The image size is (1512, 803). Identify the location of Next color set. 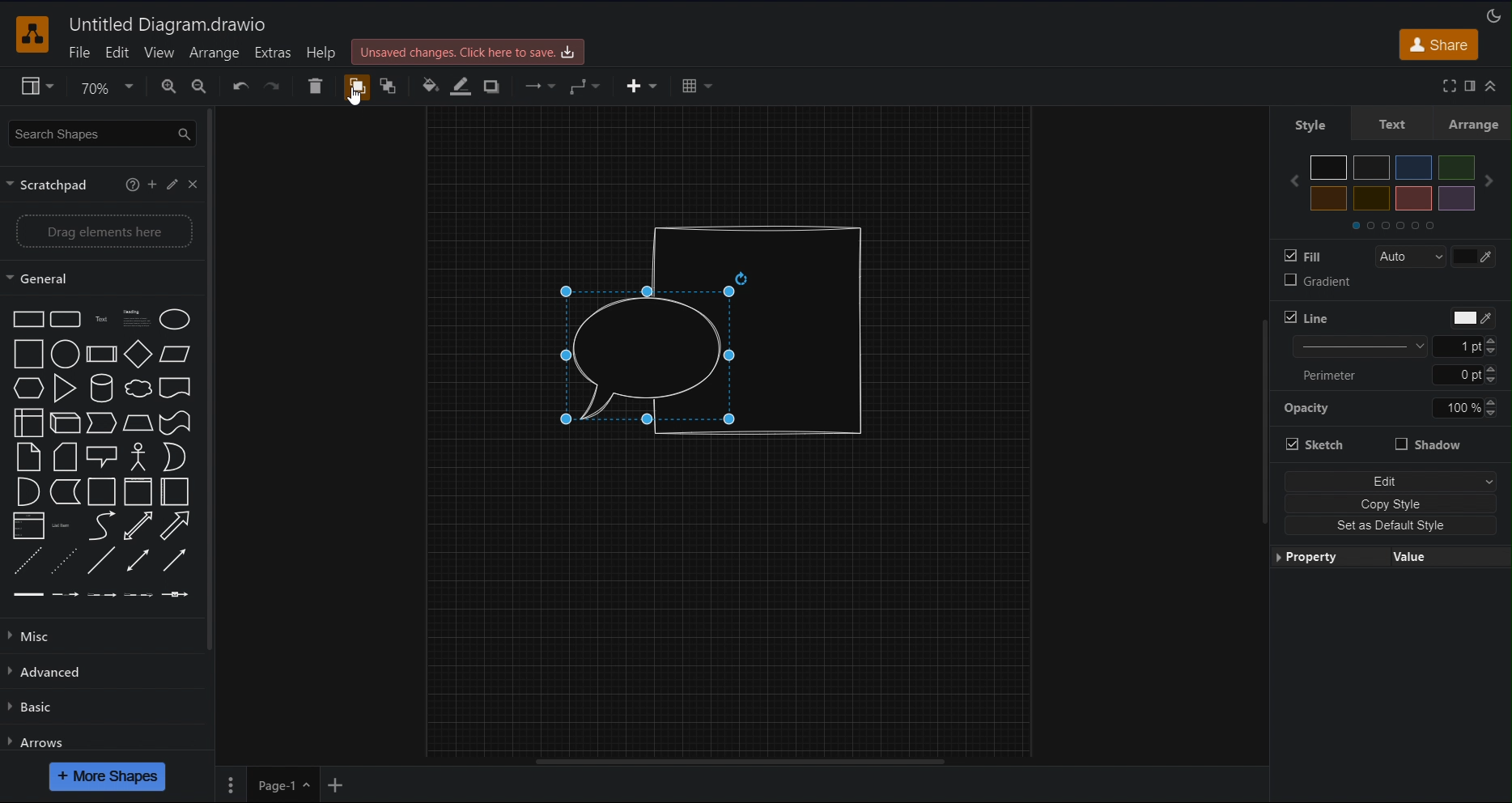
(1489, 181).